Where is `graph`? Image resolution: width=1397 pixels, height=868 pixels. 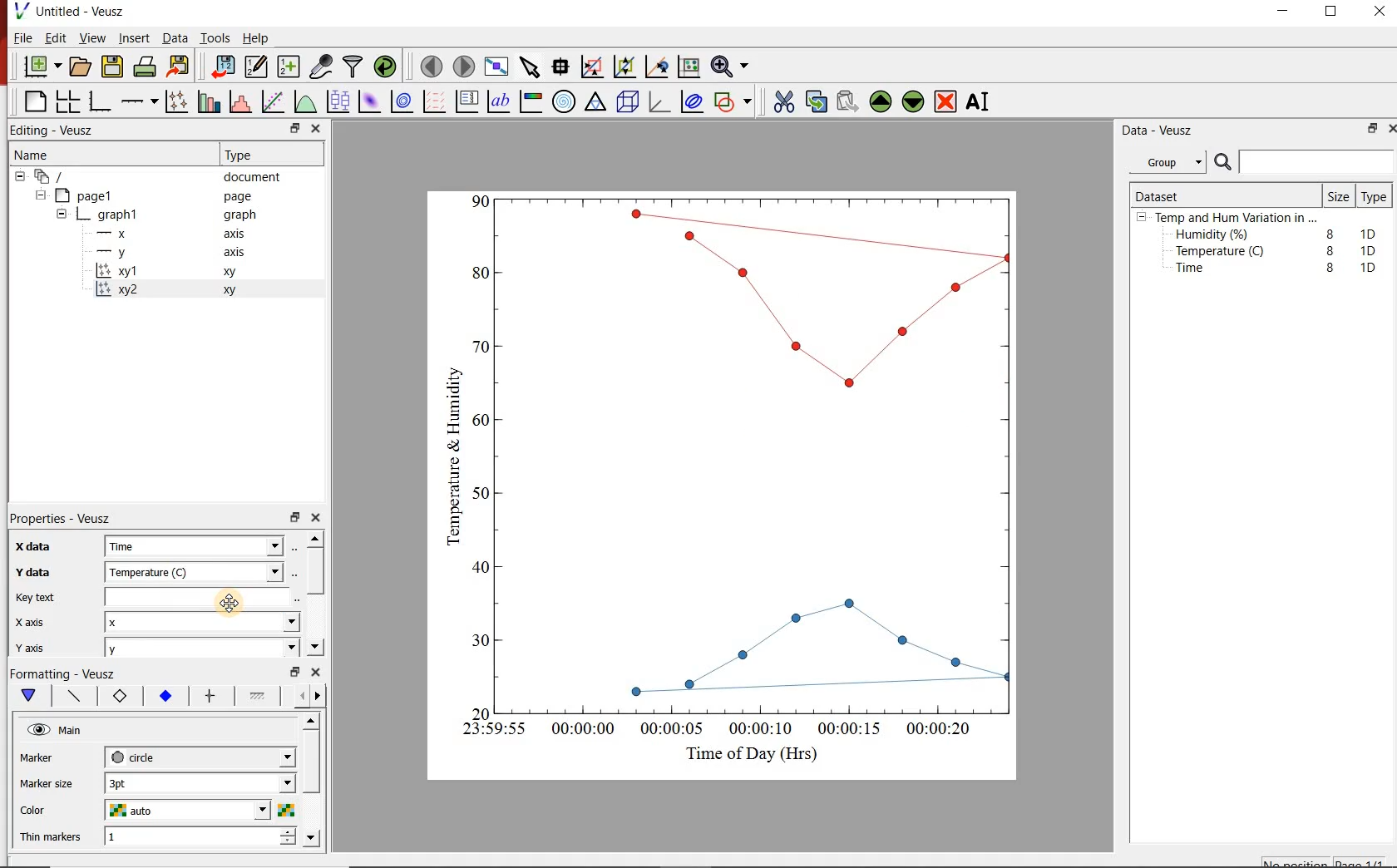
graph is located at coordinates (239, 216).